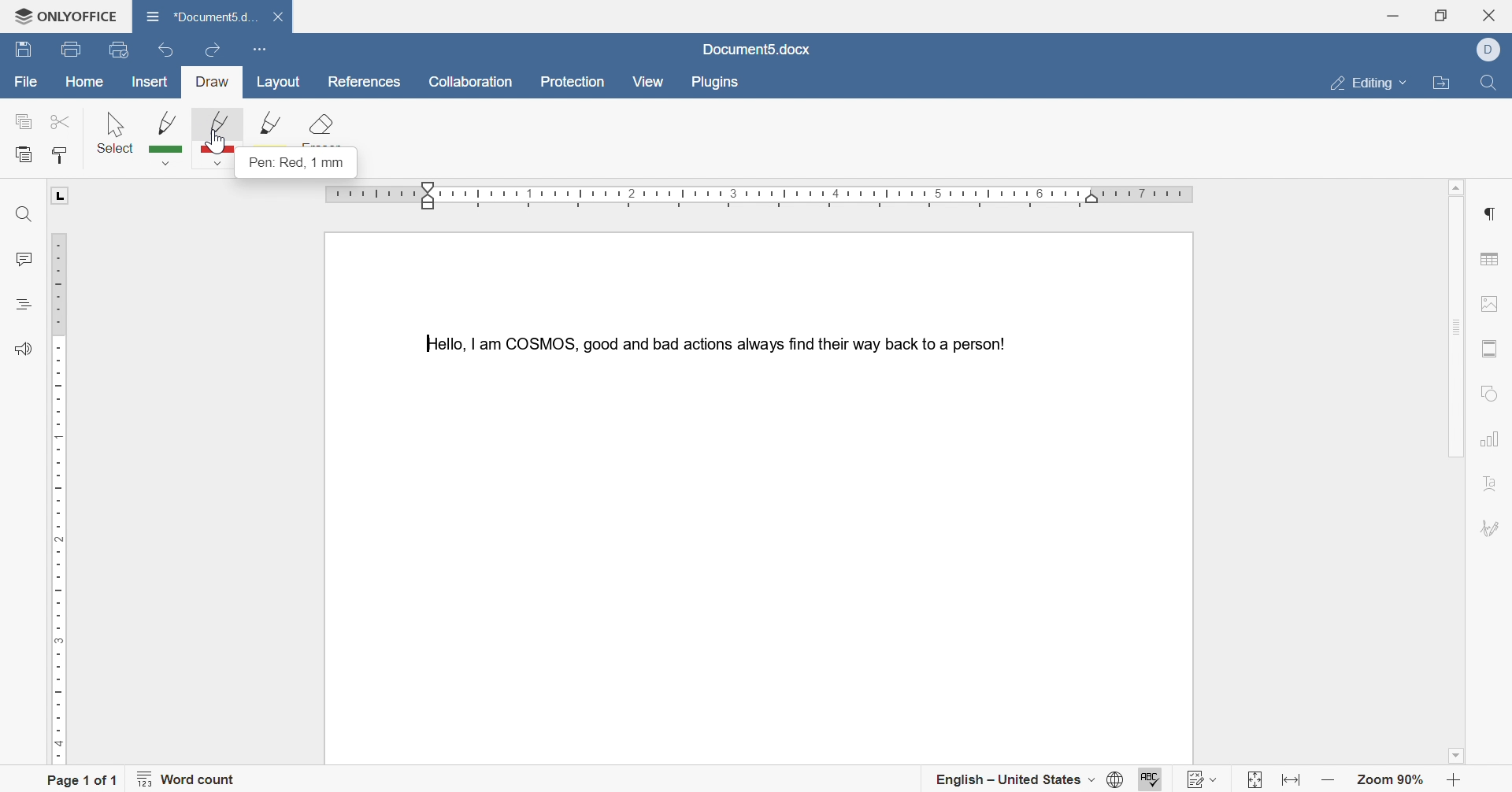 This screenshot has height=792, width=1512. Describe the element at coordinates (1486, 87) in the screenshot. I see `find` at that location.